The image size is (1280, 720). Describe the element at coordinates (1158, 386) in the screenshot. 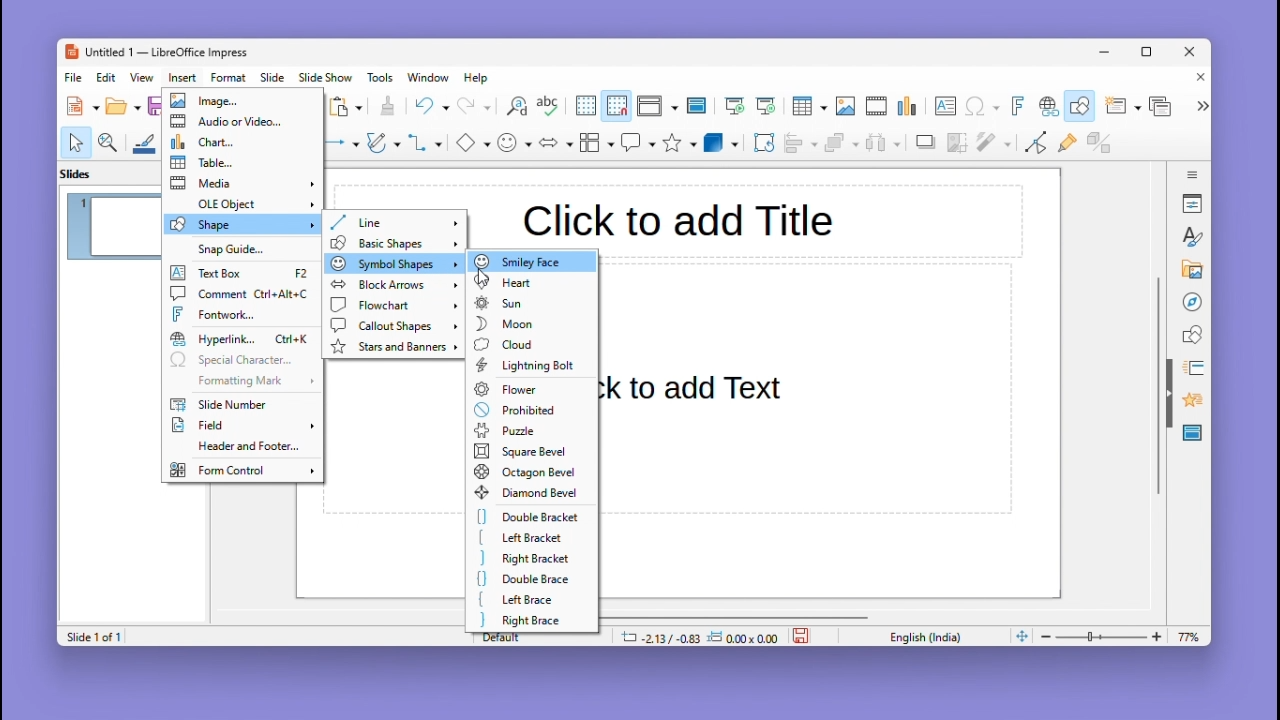

I see `Vertical scroll bar` at that location.